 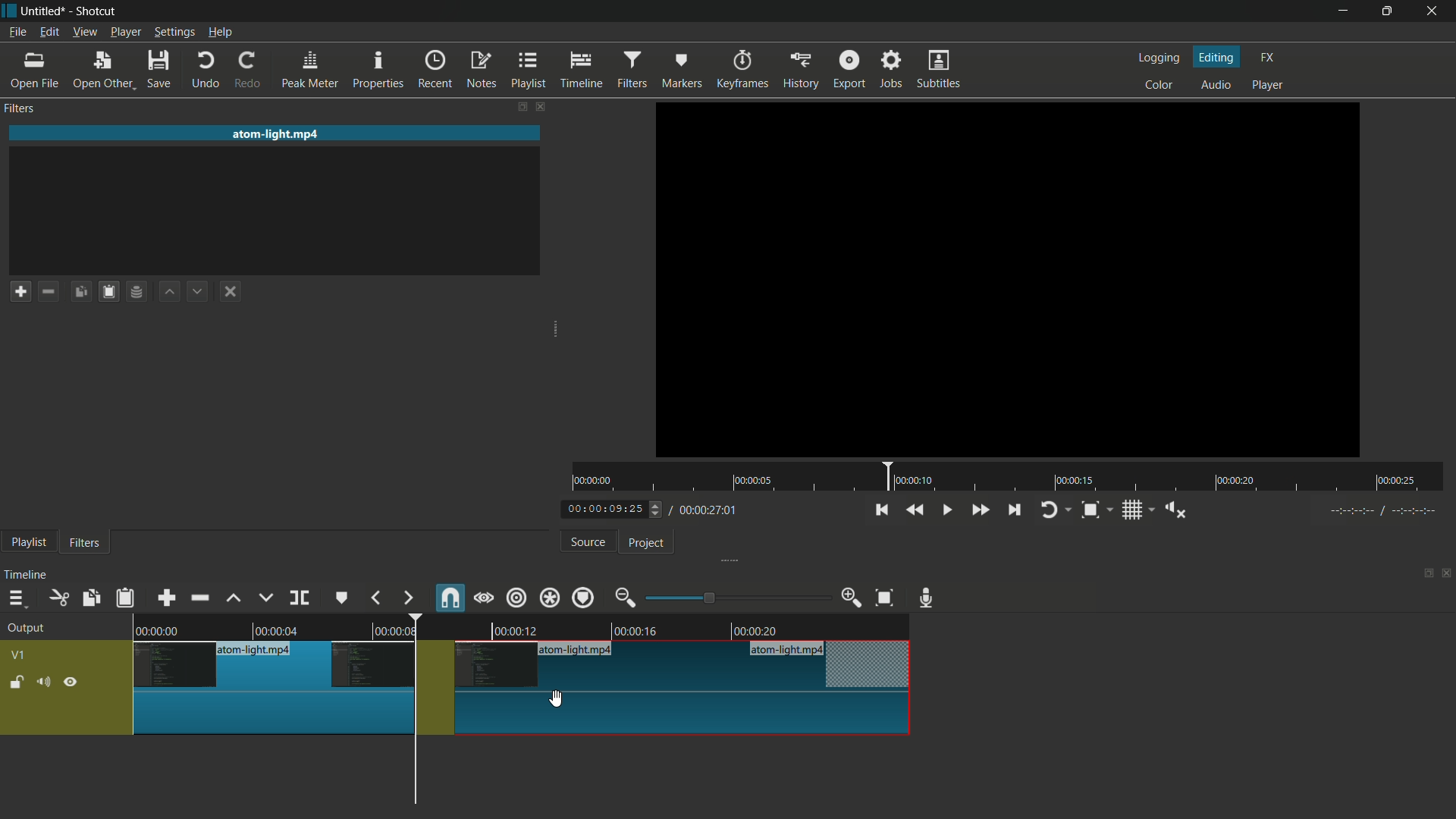 I want to click on jobs, so click(x=893, y=67).